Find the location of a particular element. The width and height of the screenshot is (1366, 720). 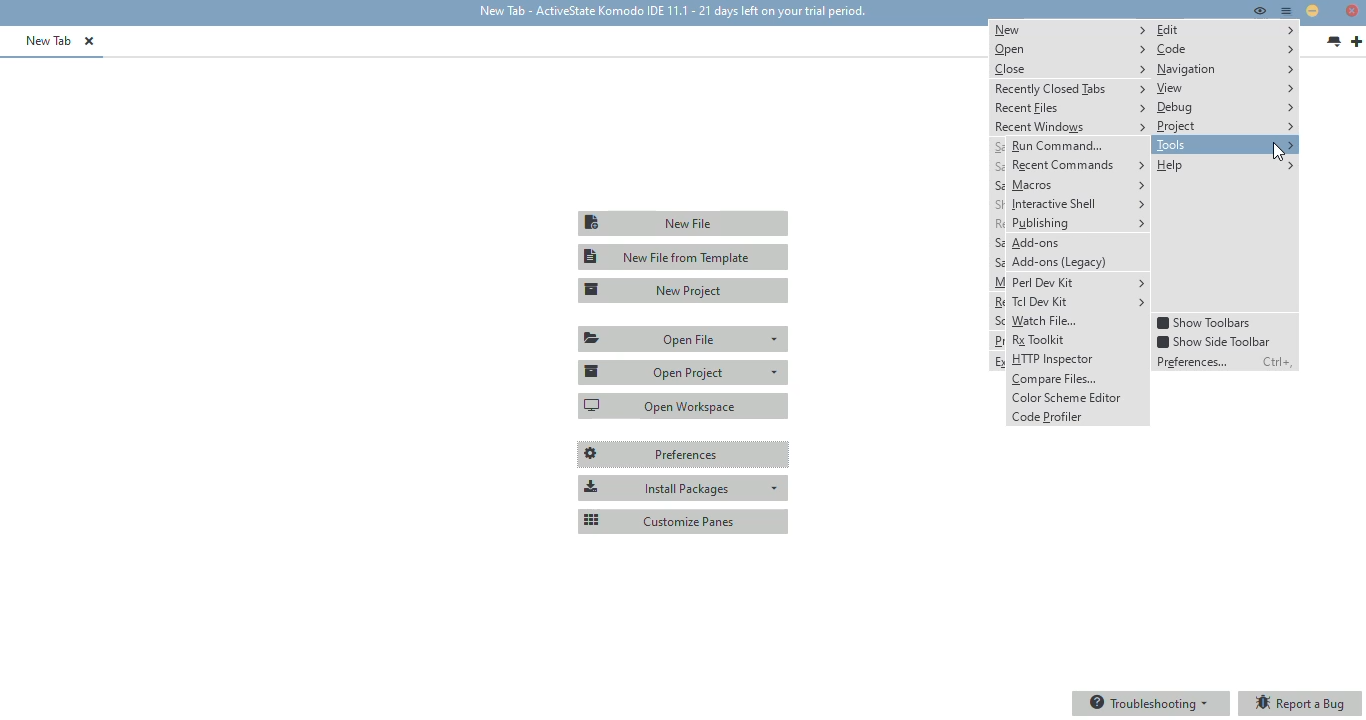

show side toolbar is located at coordinates (1213, 341).